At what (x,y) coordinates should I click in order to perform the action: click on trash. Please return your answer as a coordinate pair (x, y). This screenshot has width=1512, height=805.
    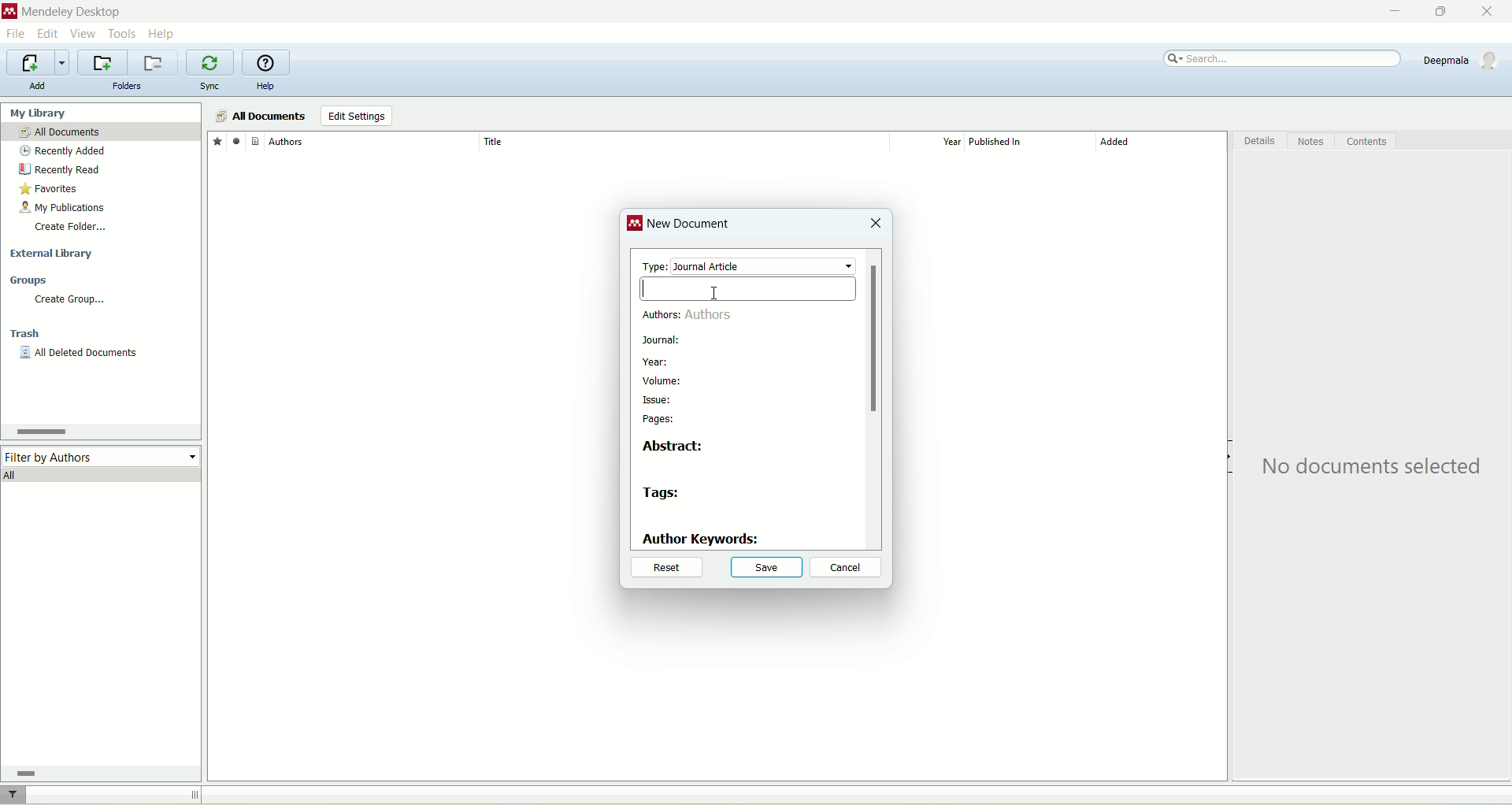
    Looking at the image, I should click on (28, 336).